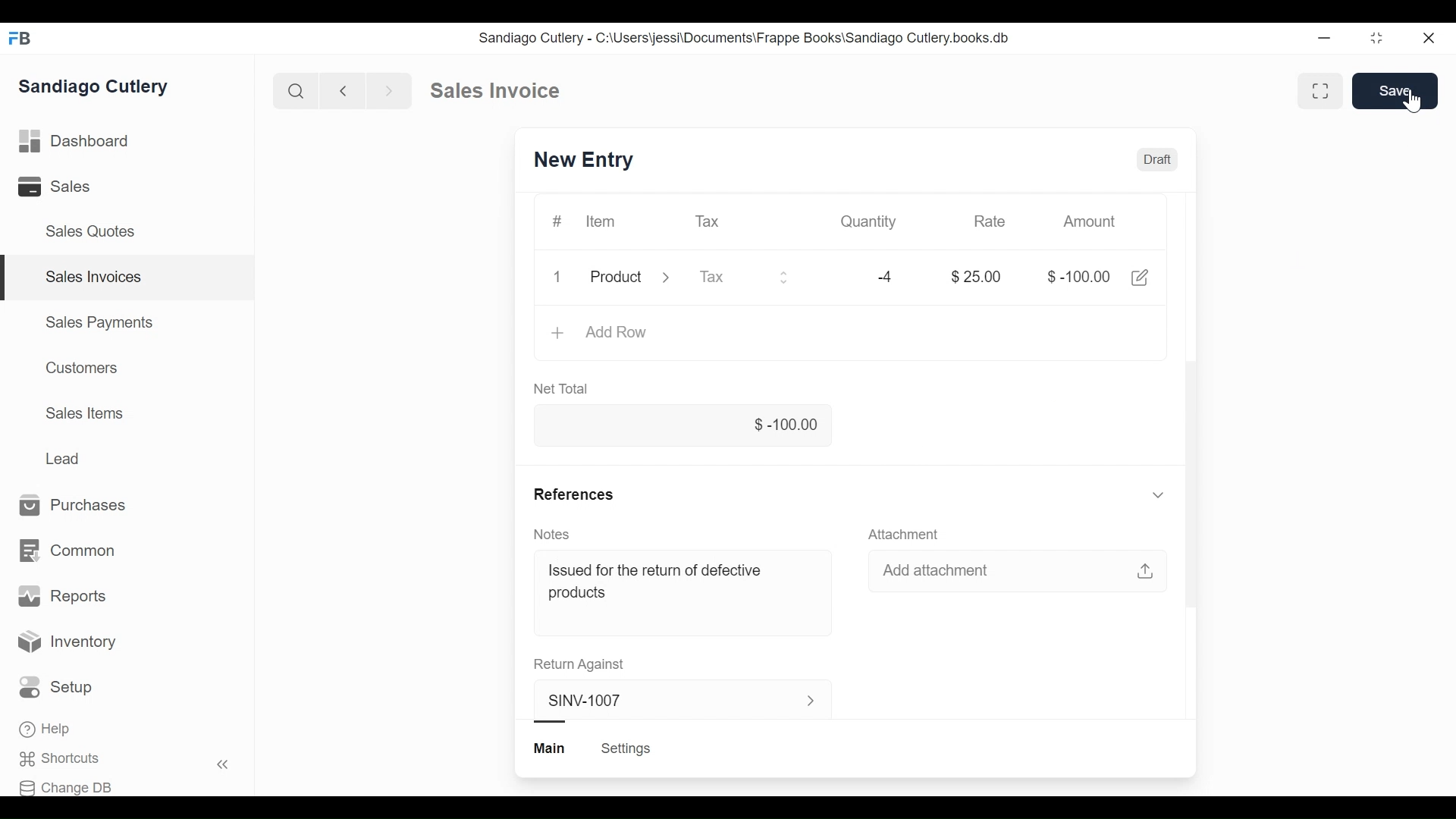  Describe the element at coordinates (886, 276) in the screenshot. I see `-4` at that location.